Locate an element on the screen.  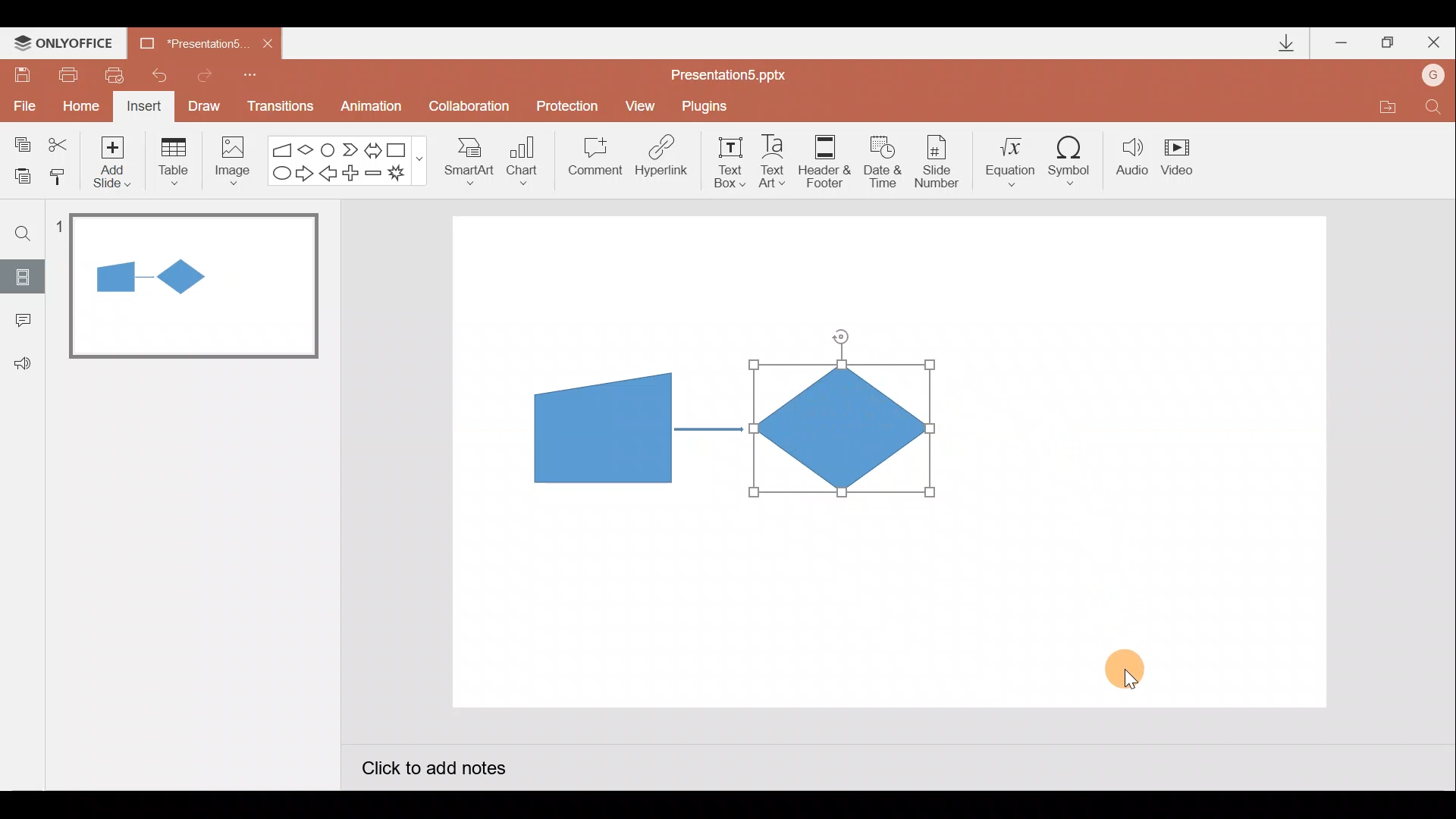
Presentation5. is located at coordinates (187, 41).